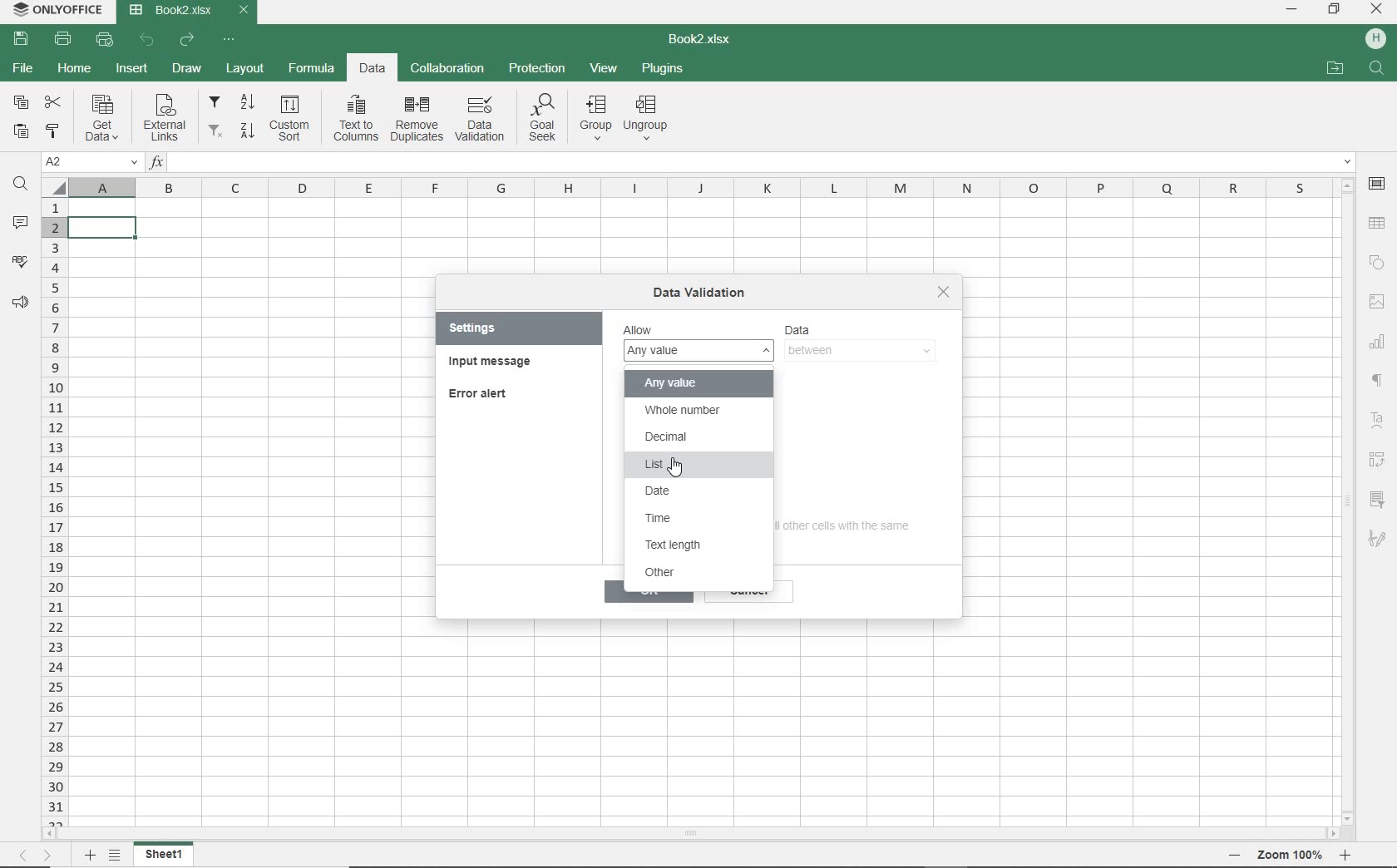 This screenshot has width=1397, height=868. I want to click on CHART, so click(1378, 345).